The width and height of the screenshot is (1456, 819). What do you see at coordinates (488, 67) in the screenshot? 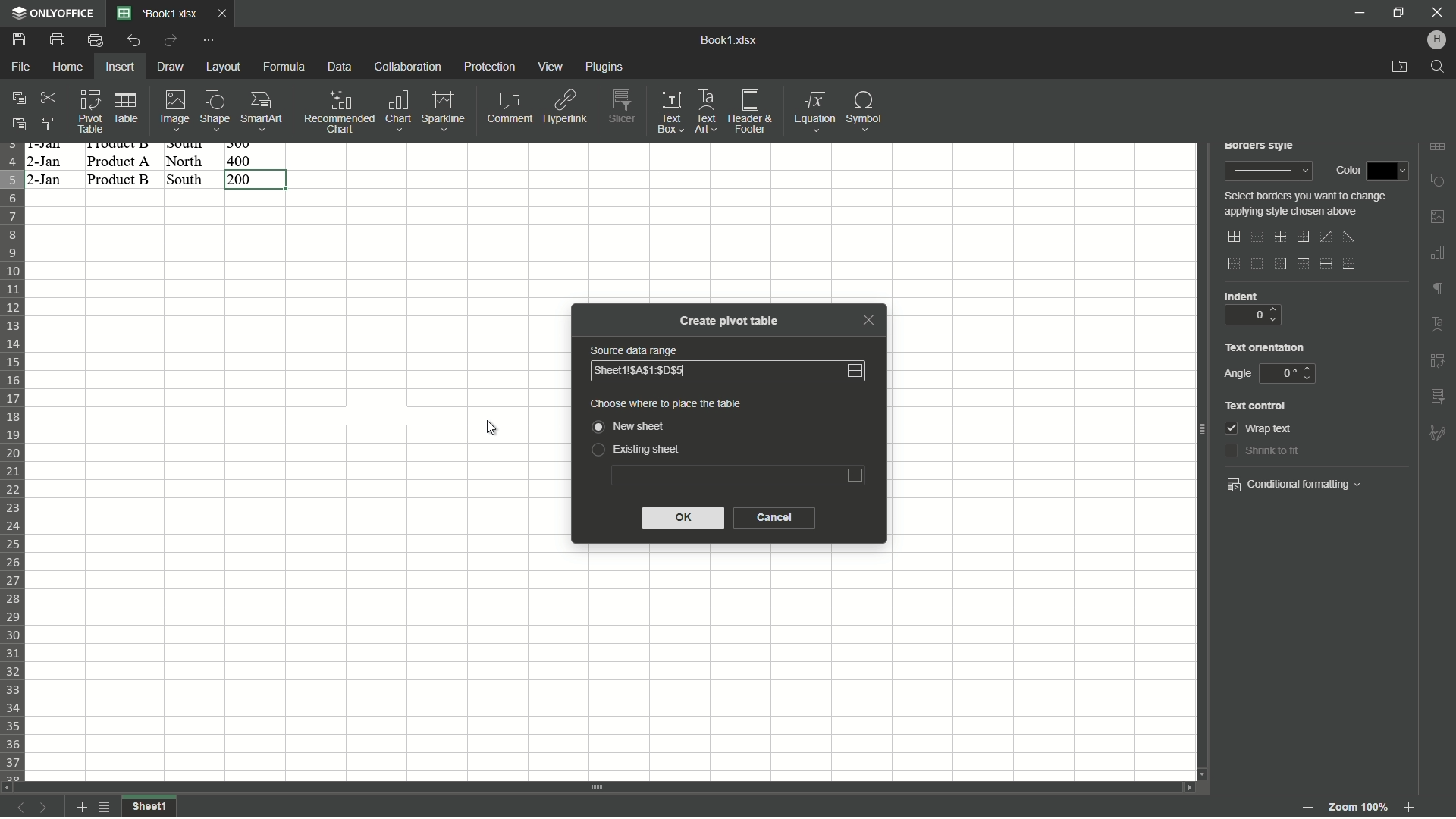
I see `protection` at bounding box center [488, 67].